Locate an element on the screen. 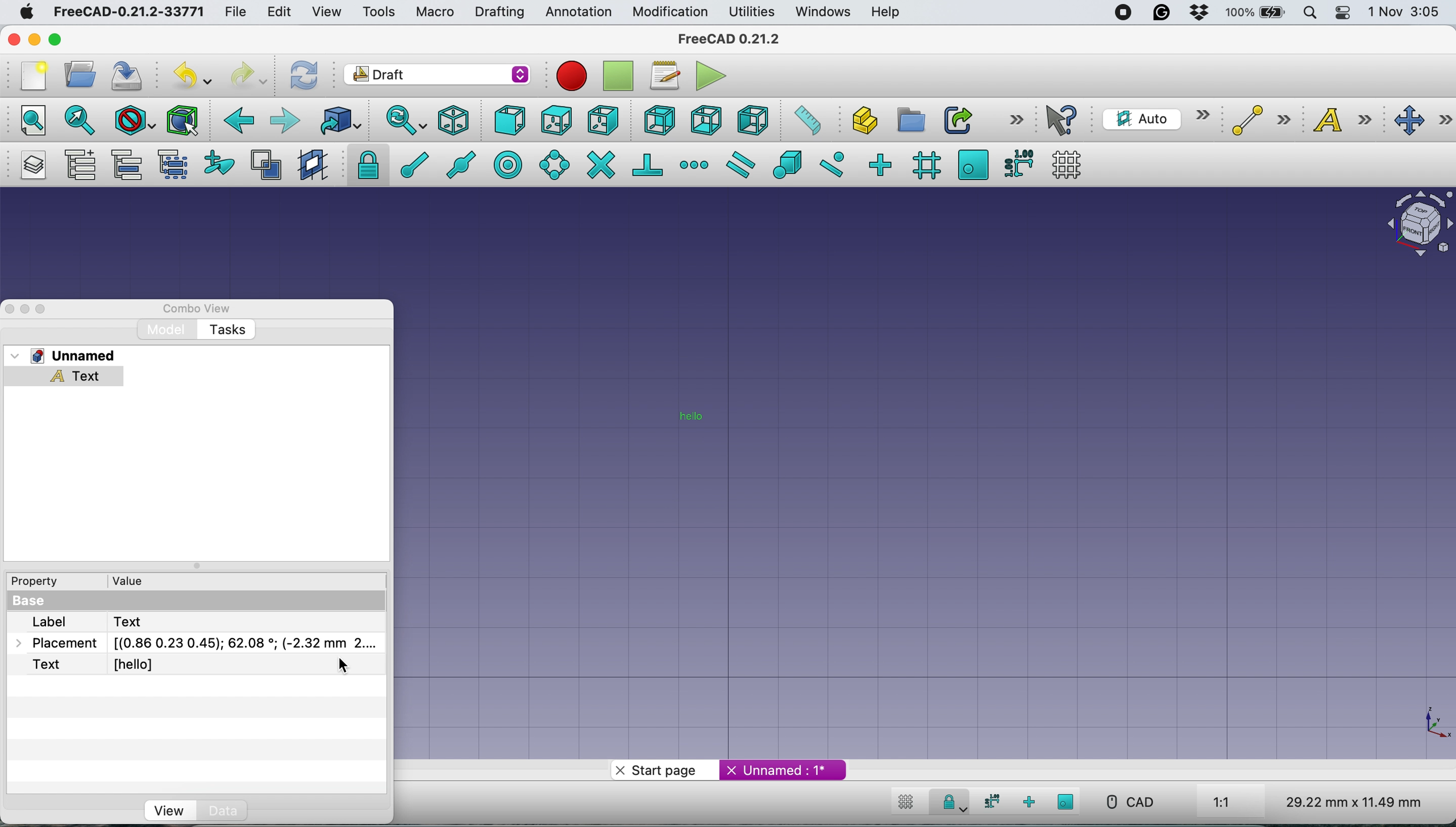  control center is located at coordinates (1345, 14).